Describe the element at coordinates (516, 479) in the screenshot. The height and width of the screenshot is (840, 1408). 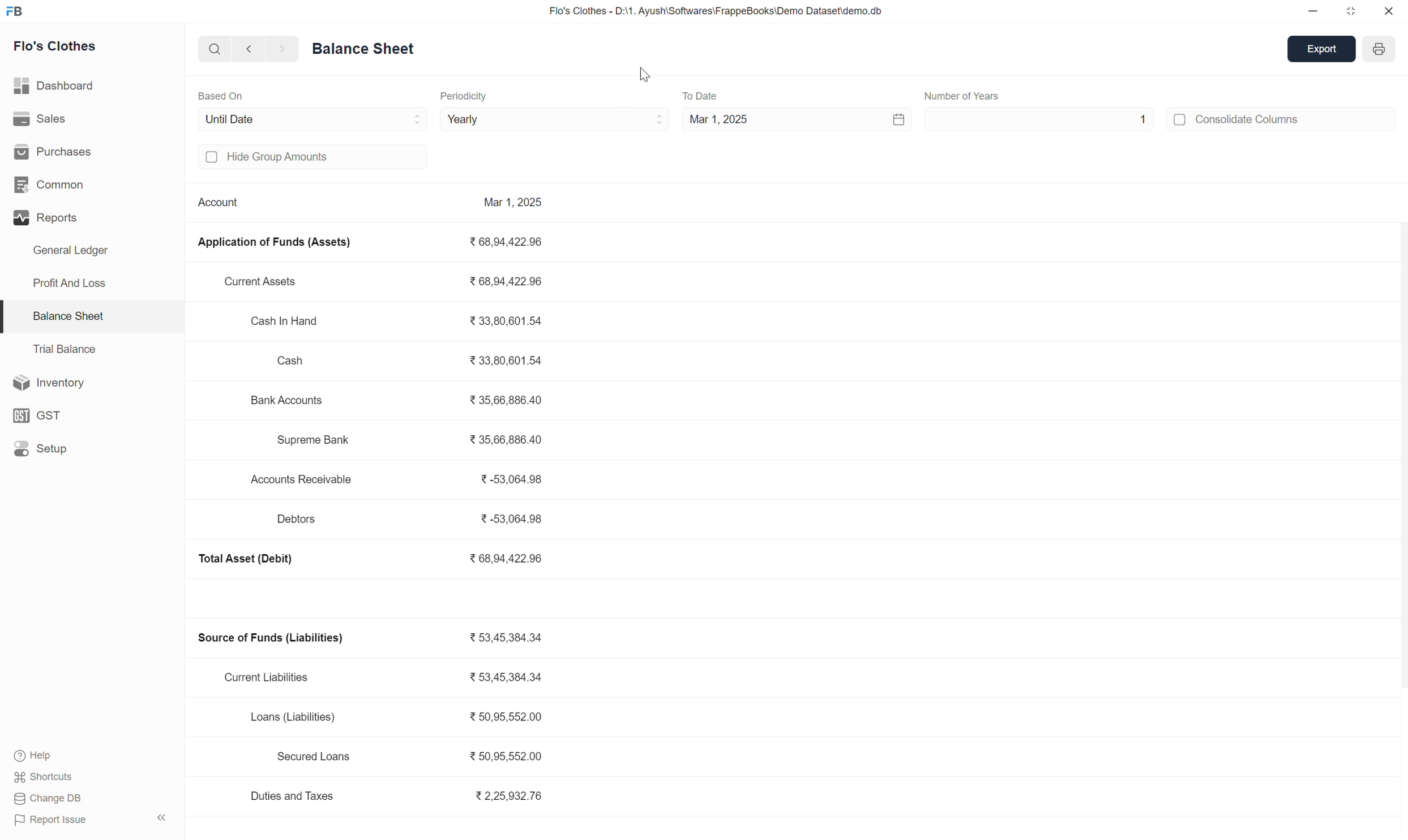
I see `-53,064.98` at that location.